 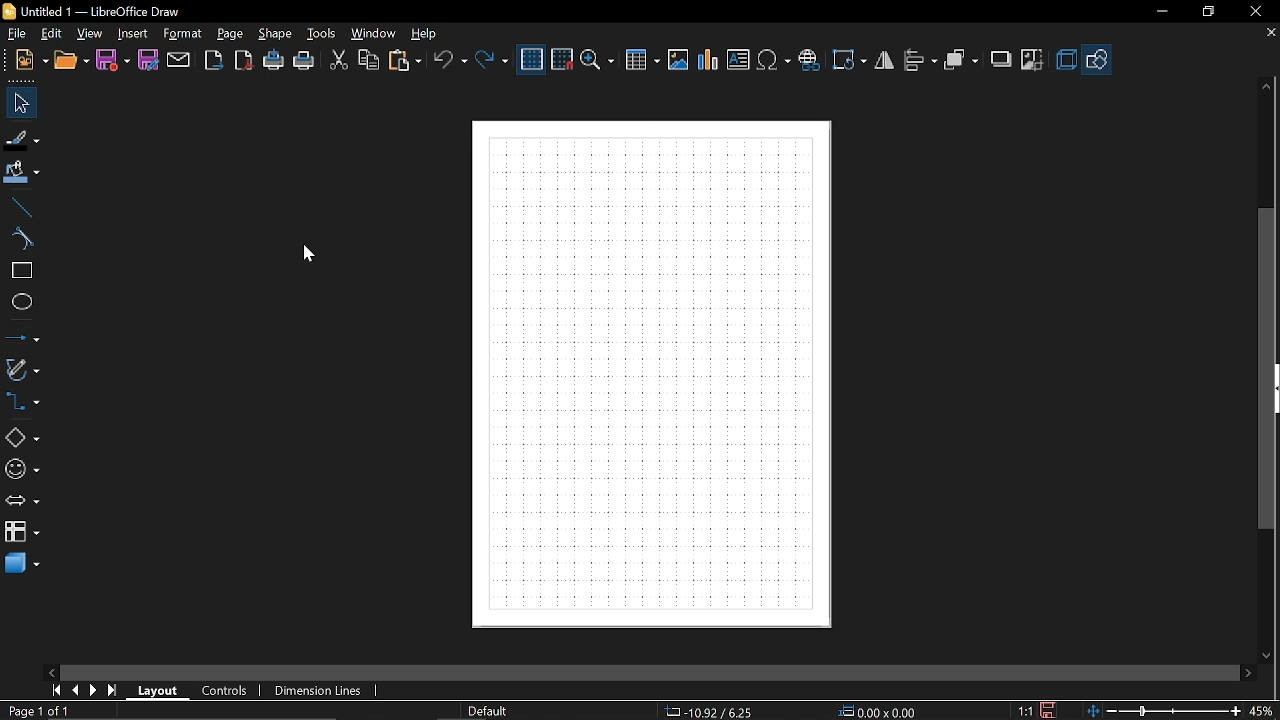 What do you see at coordinates (450, 59) in the screenshot?
I see `undo` at bounding box center [450, 59].